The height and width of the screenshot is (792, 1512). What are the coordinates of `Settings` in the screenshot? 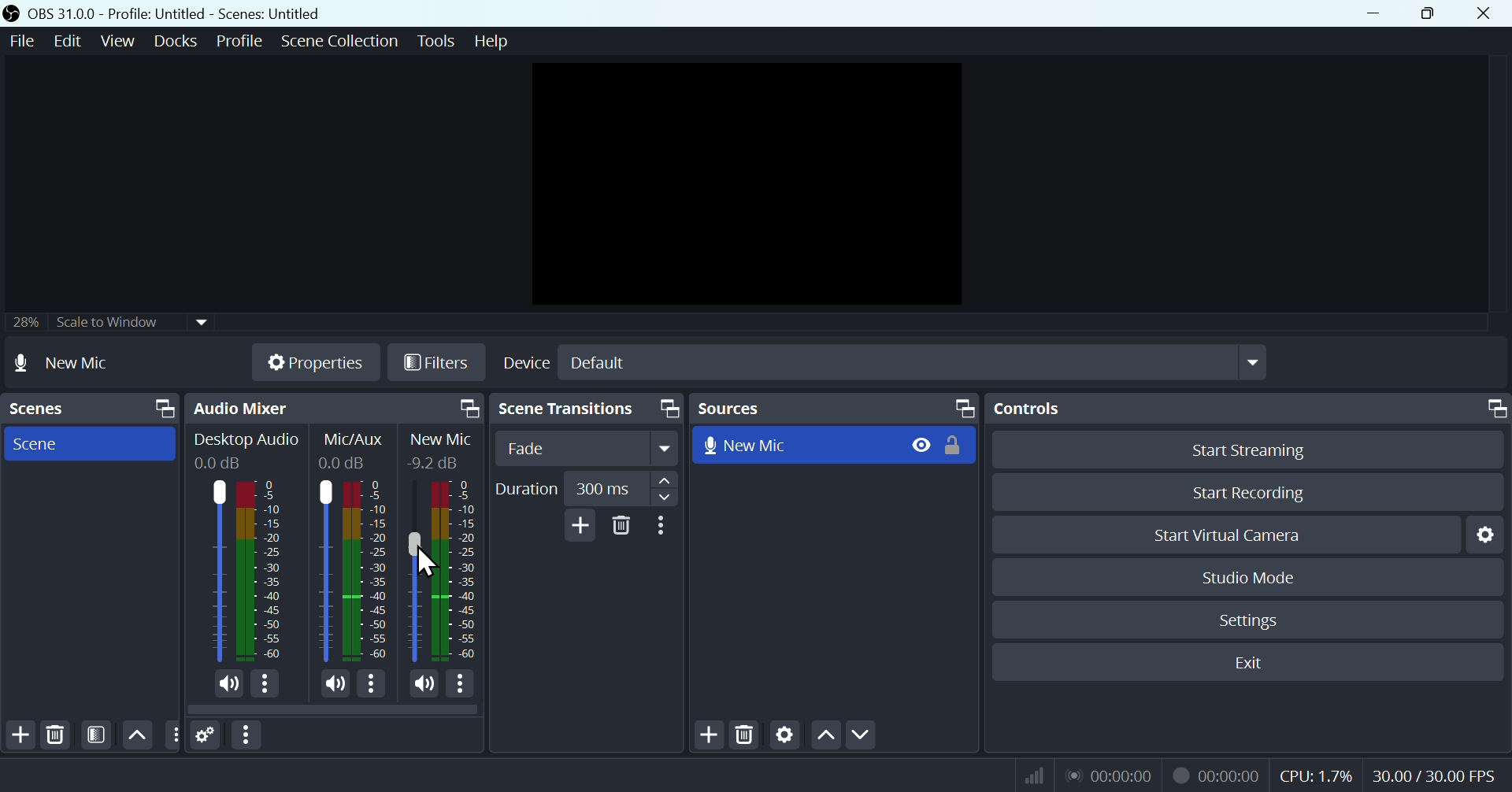 It's located at (206, 736).